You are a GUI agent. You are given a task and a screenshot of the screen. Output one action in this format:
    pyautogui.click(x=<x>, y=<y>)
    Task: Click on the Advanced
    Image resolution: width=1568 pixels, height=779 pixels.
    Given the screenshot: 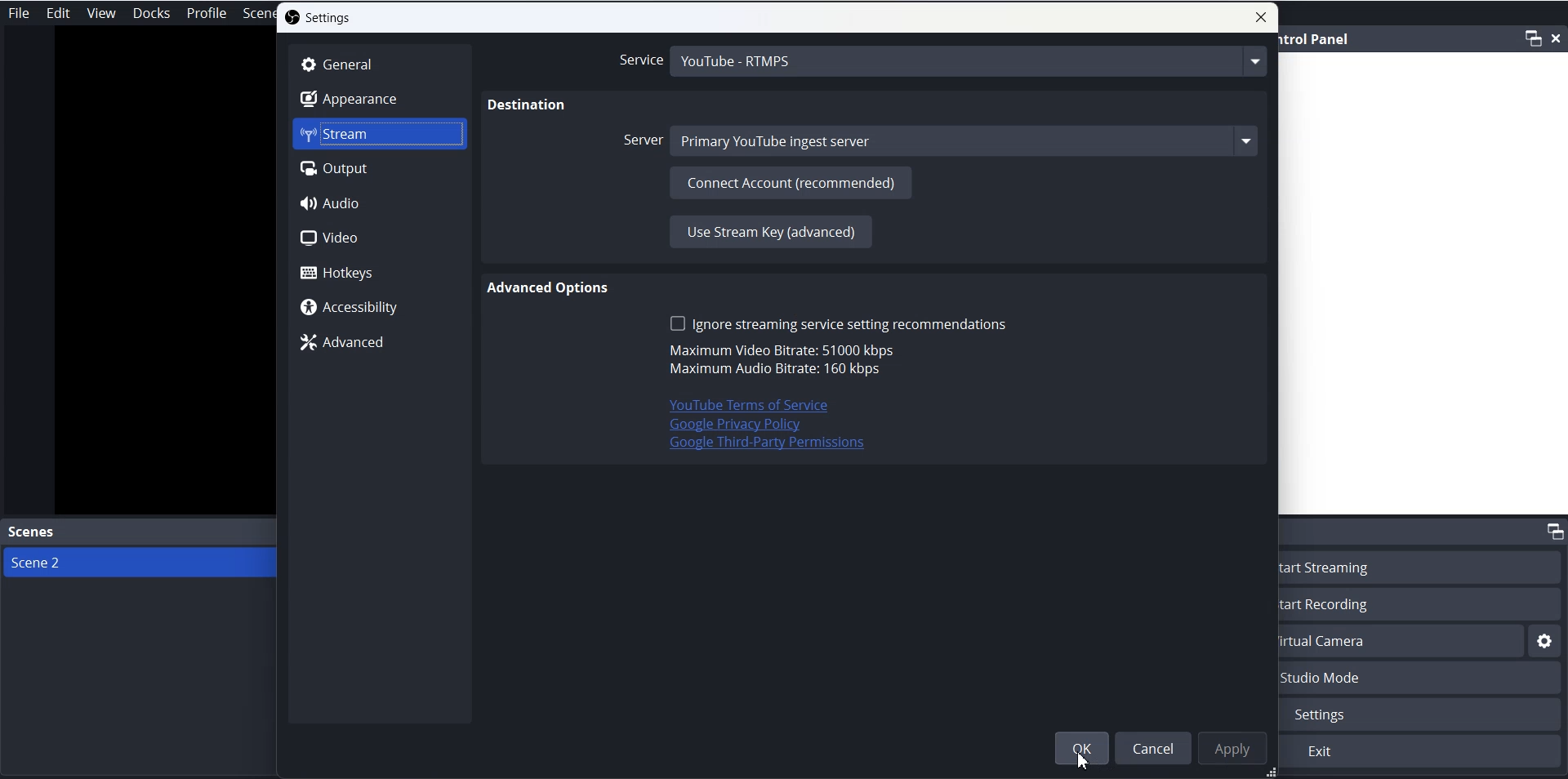 What is the action you would take?
    pyautogui.click(x=377, y=341)
    